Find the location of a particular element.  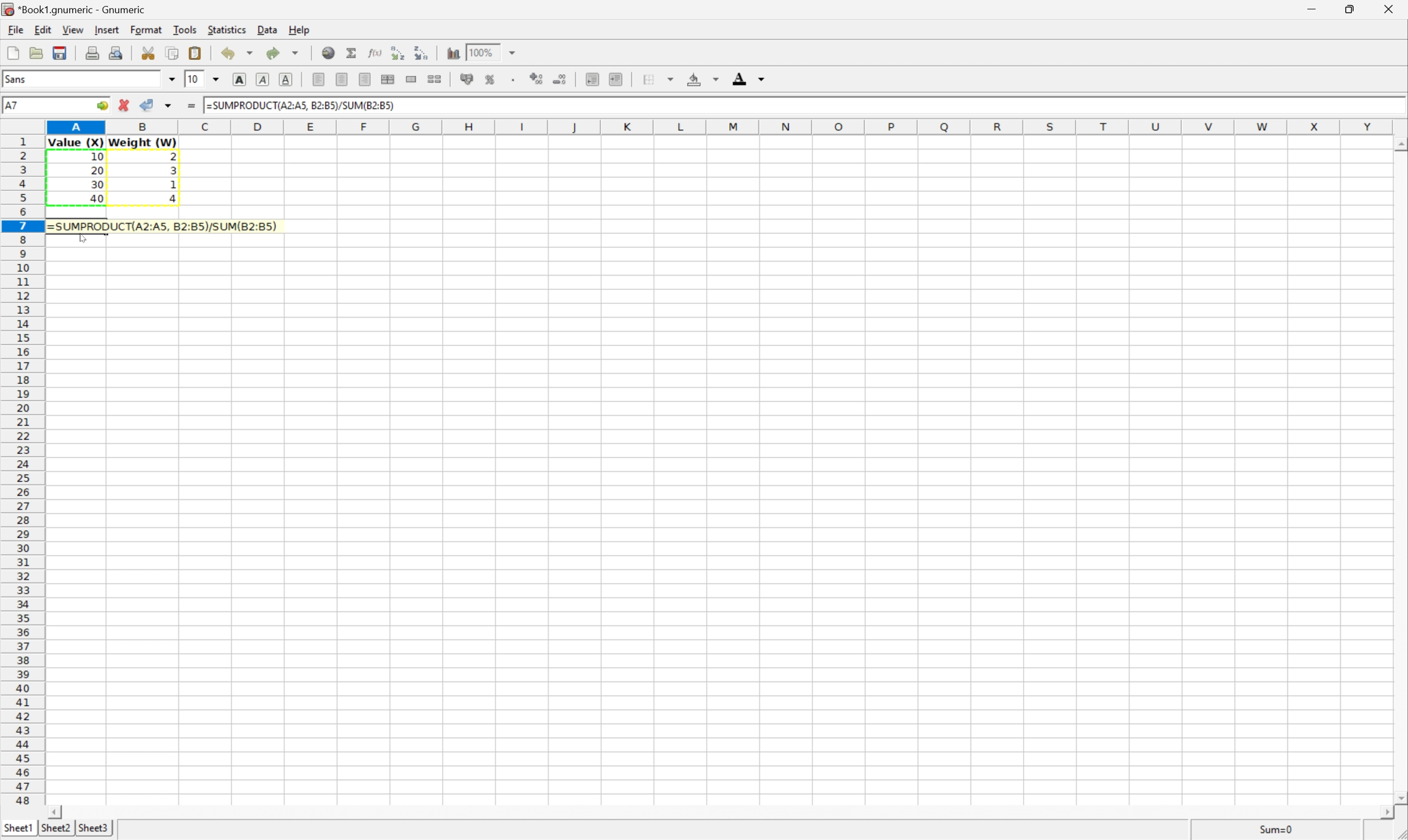

Edit function in current cell is located at coordinates (375, 53).